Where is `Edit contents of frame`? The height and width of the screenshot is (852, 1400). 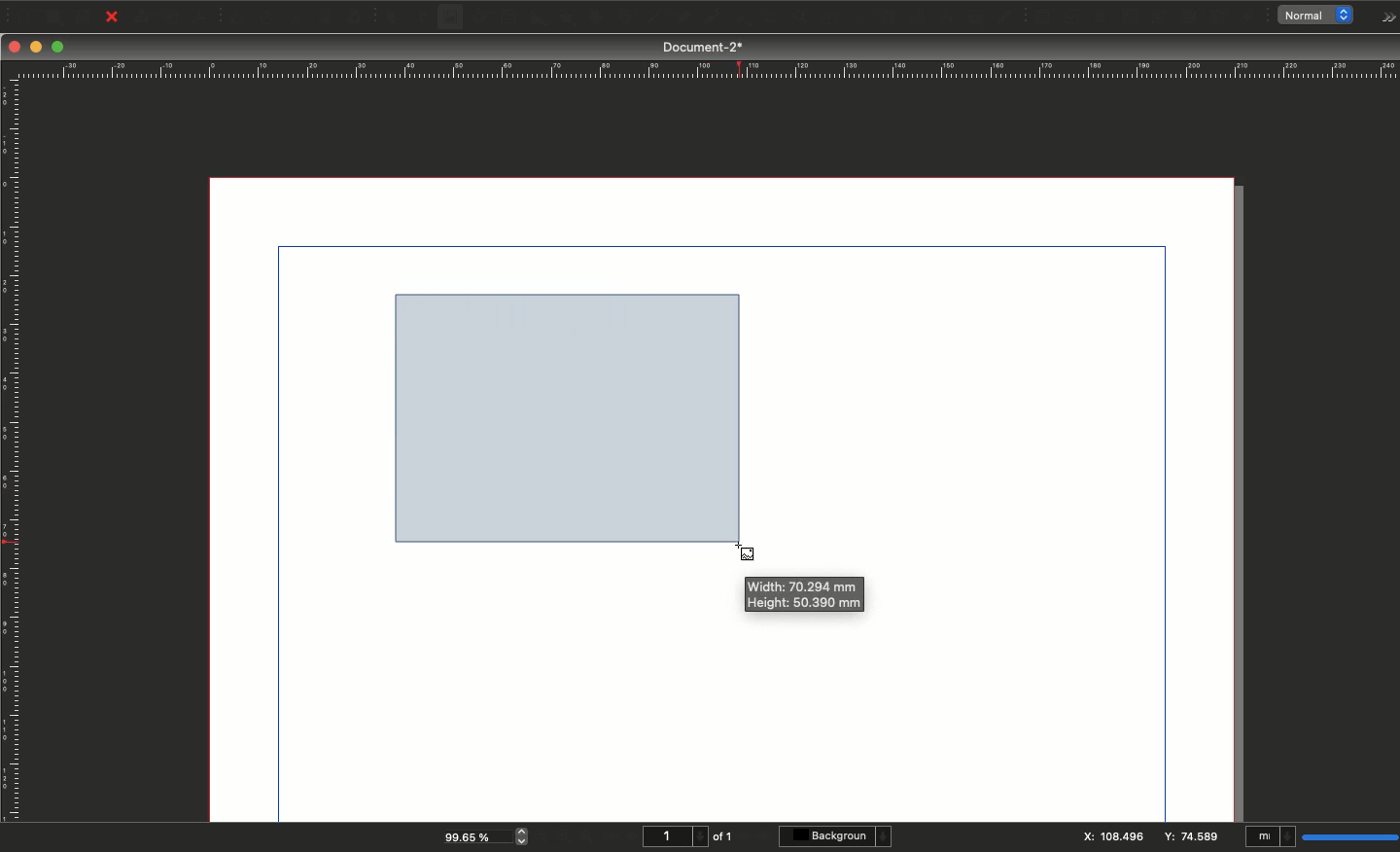
Edit contents of frame is located at coordinates (810, 18).